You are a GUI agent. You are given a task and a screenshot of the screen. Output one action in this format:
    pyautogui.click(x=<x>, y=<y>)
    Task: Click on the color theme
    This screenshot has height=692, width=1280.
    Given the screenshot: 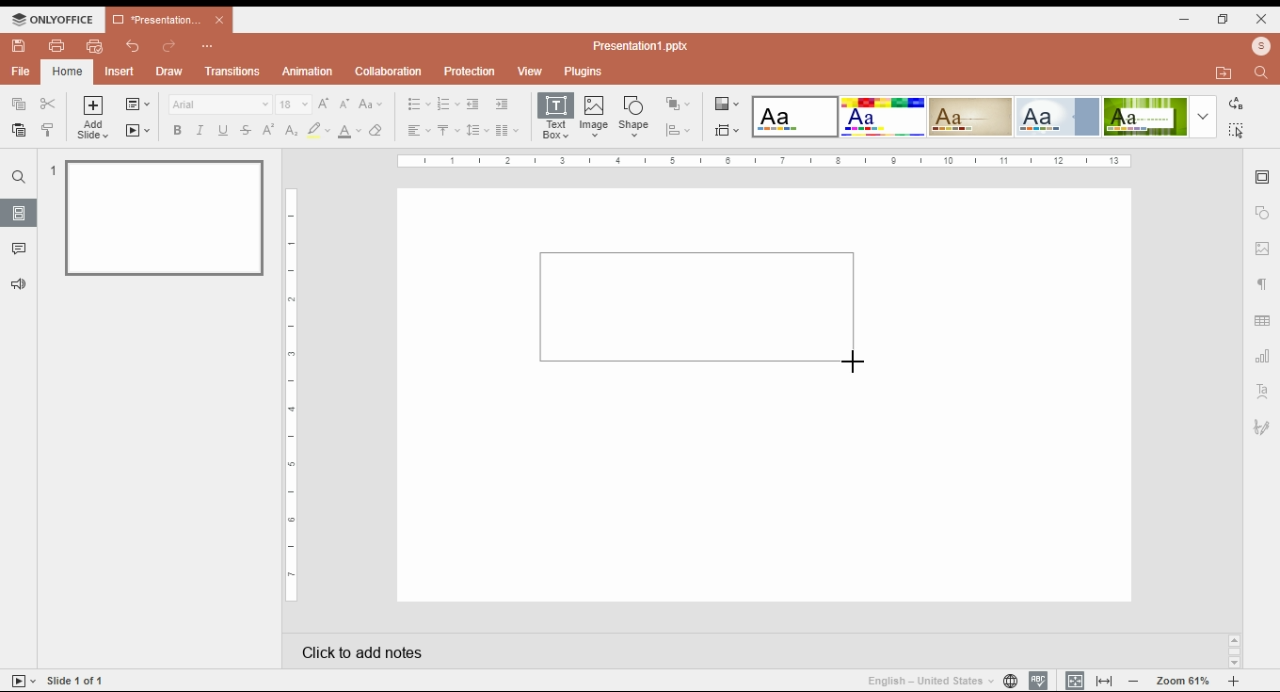 What is the action you would take?
    pyautogui.click(x=1057, y=117)
    